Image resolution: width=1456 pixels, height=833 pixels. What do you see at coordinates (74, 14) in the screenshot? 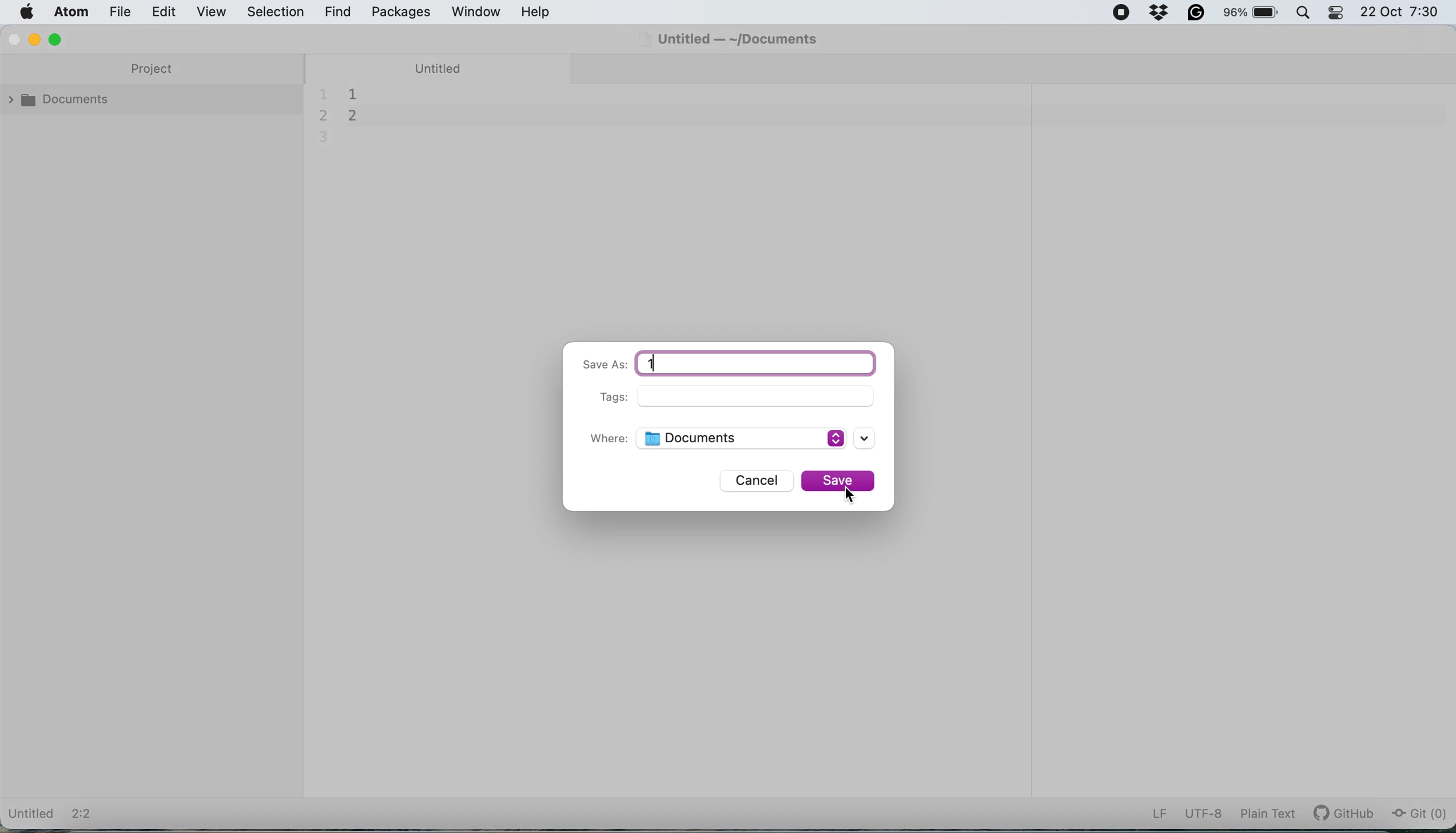
I see `atom` at bounding box center [74, 14].